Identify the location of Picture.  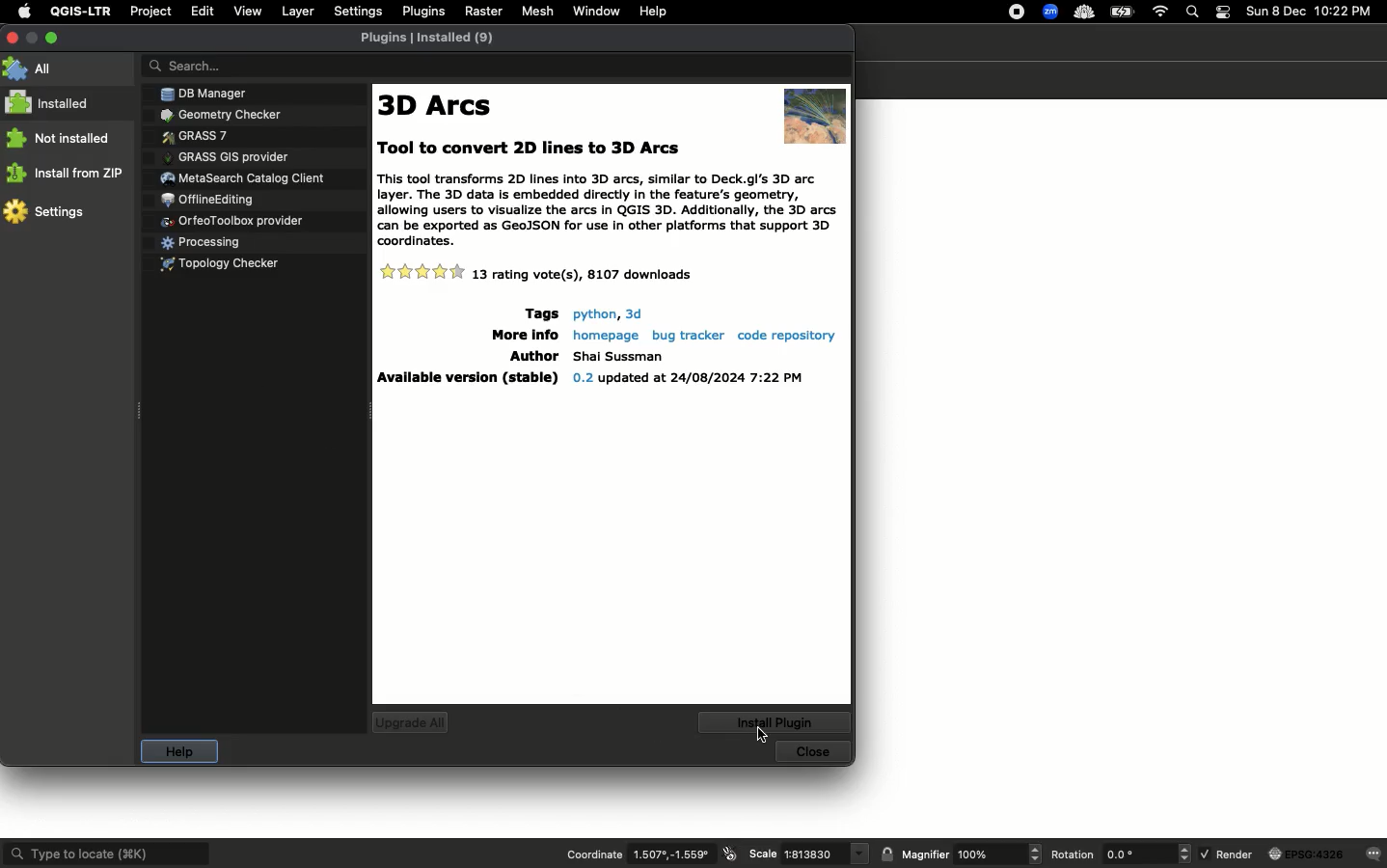
(814, 114).